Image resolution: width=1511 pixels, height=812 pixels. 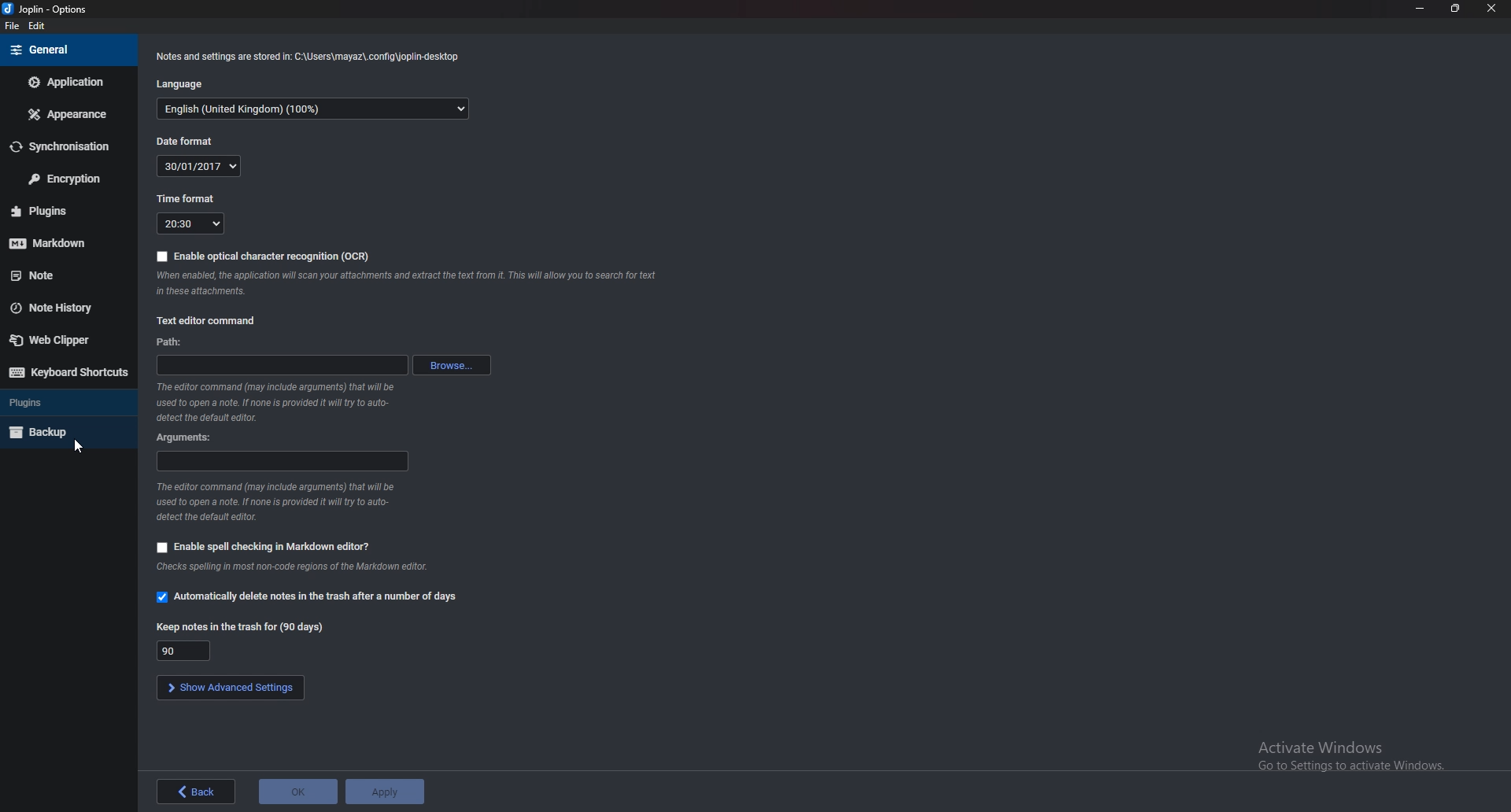 I want to click on Enable spell checking, so click(x=261, y=548).